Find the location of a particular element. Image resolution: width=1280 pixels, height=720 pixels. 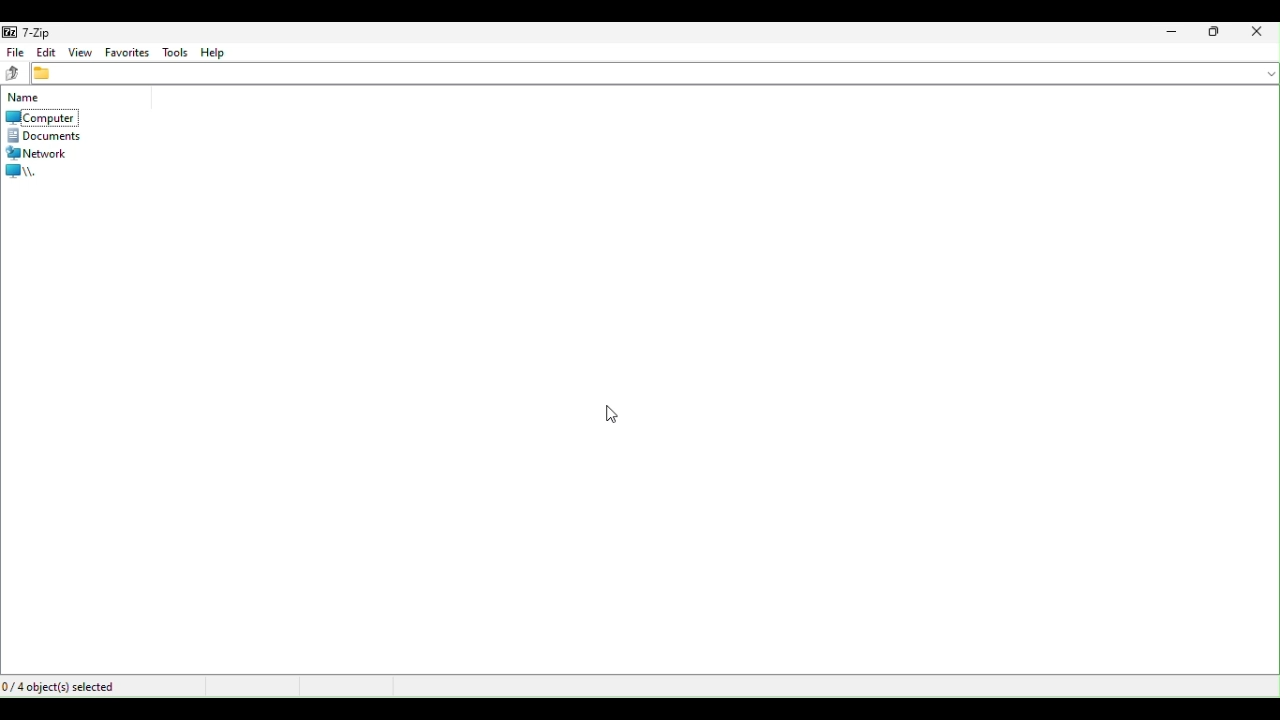

Help is located at coordinates (219, 55).